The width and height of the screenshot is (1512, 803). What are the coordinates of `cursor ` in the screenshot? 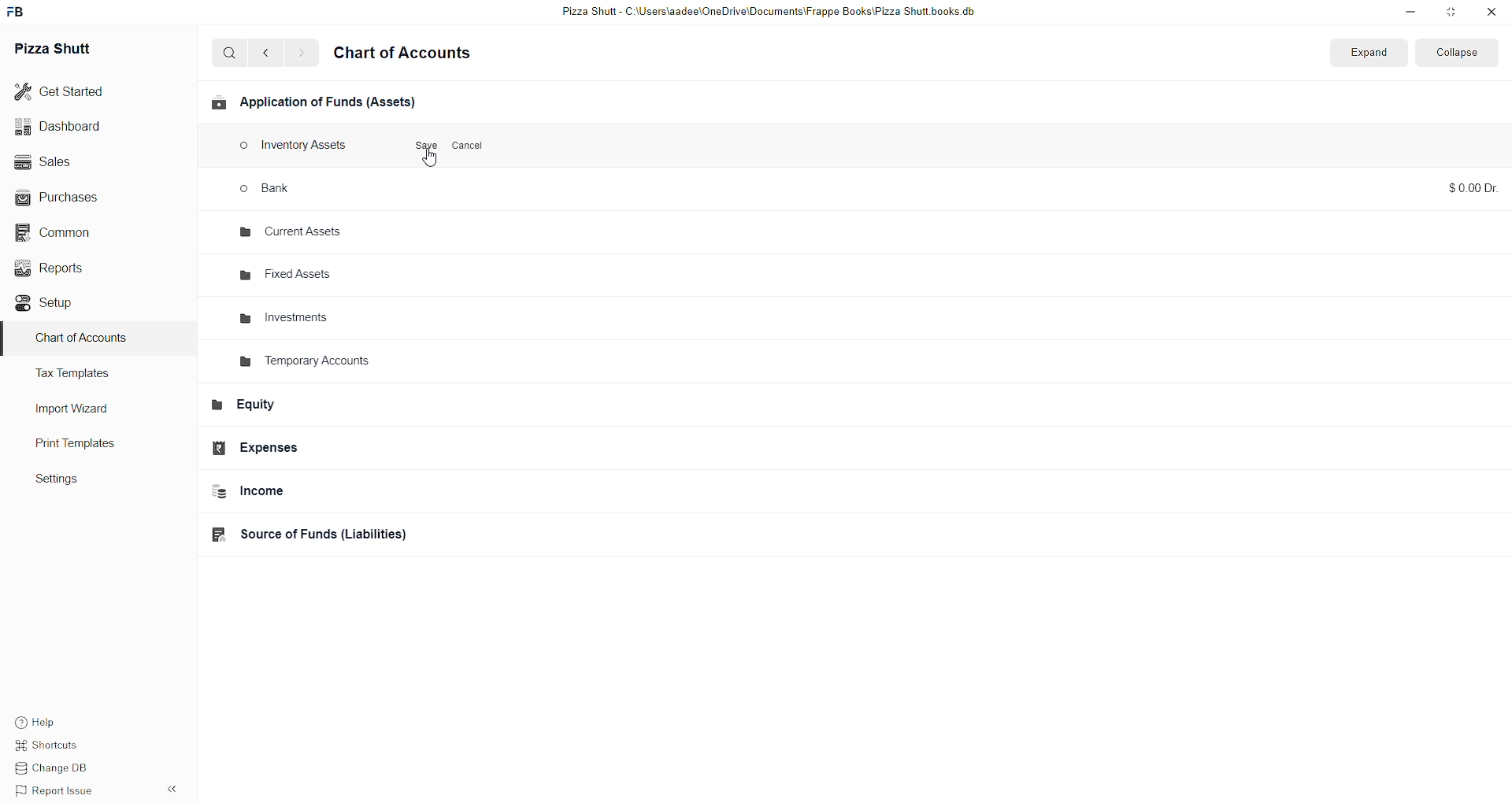 It's located at (428, 160).